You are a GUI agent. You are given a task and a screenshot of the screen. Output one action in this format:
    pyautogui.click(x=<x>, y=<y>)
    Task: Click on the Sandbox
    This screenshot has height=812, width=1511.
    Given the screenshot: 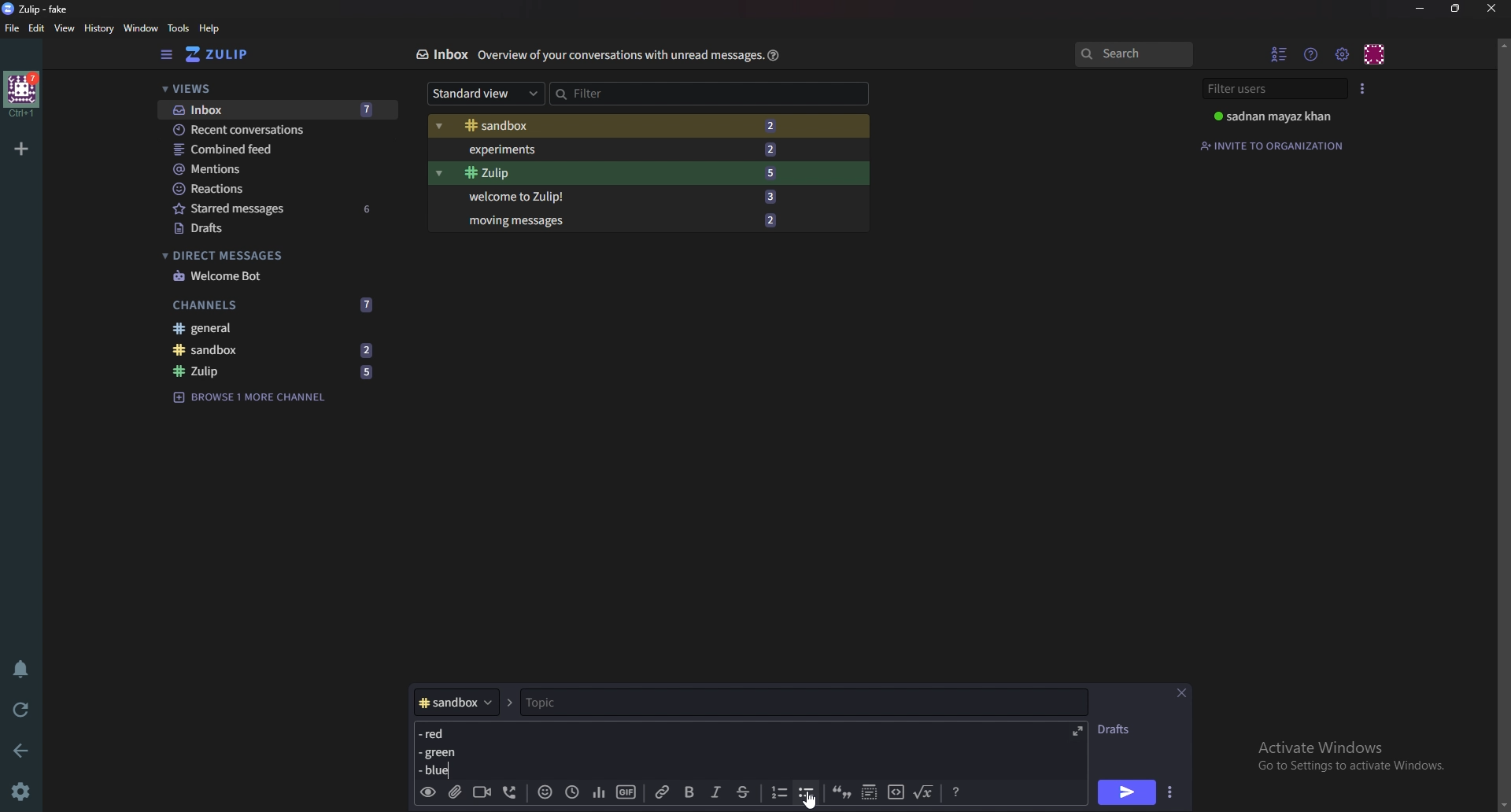 What is the action you would take?
    pyautogui.click(x=614, y=127)
    